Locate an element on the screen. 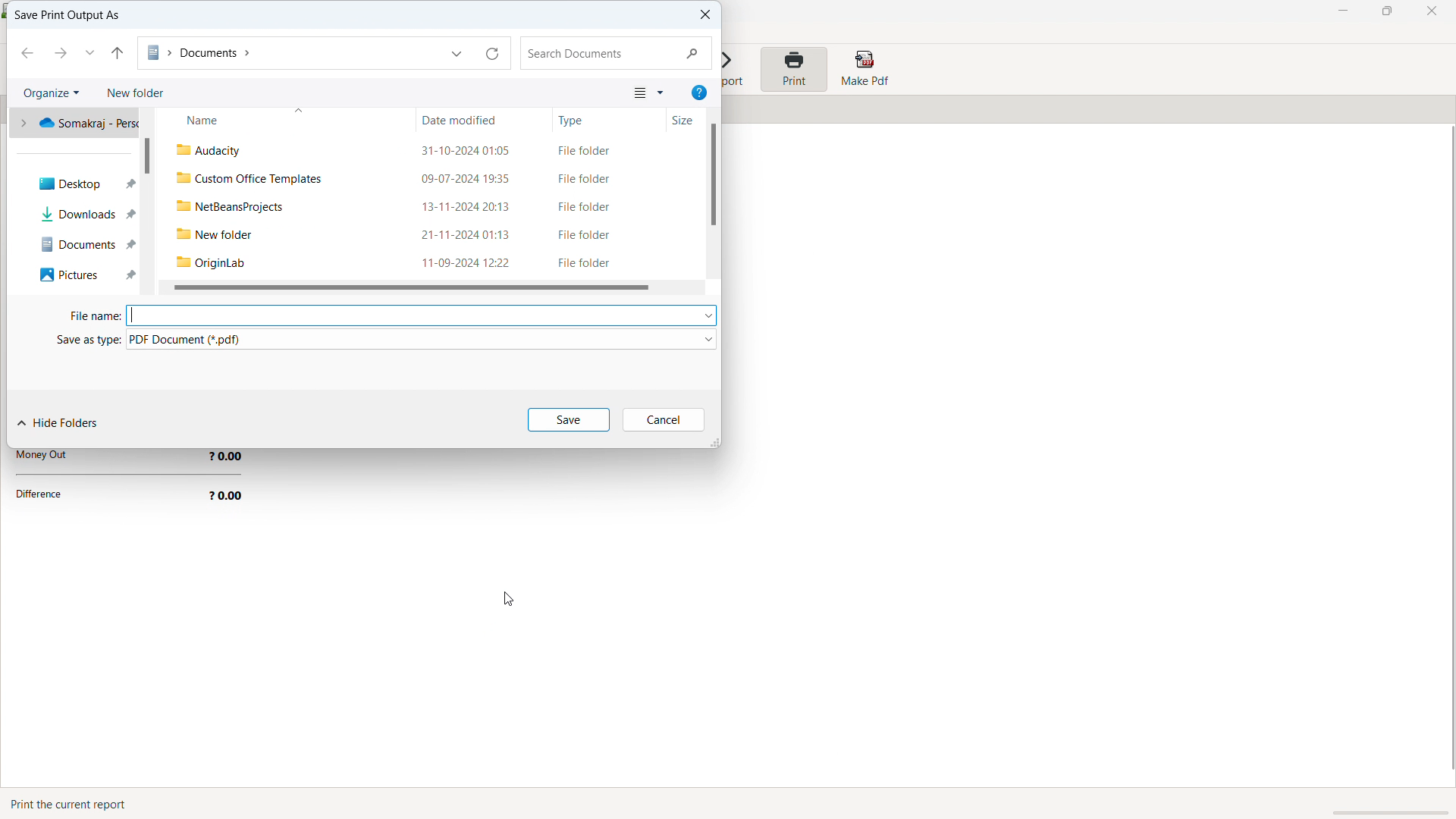 The width and height of the screenshot is (1456, 819). save print output as is located at coordinates (67, 16).